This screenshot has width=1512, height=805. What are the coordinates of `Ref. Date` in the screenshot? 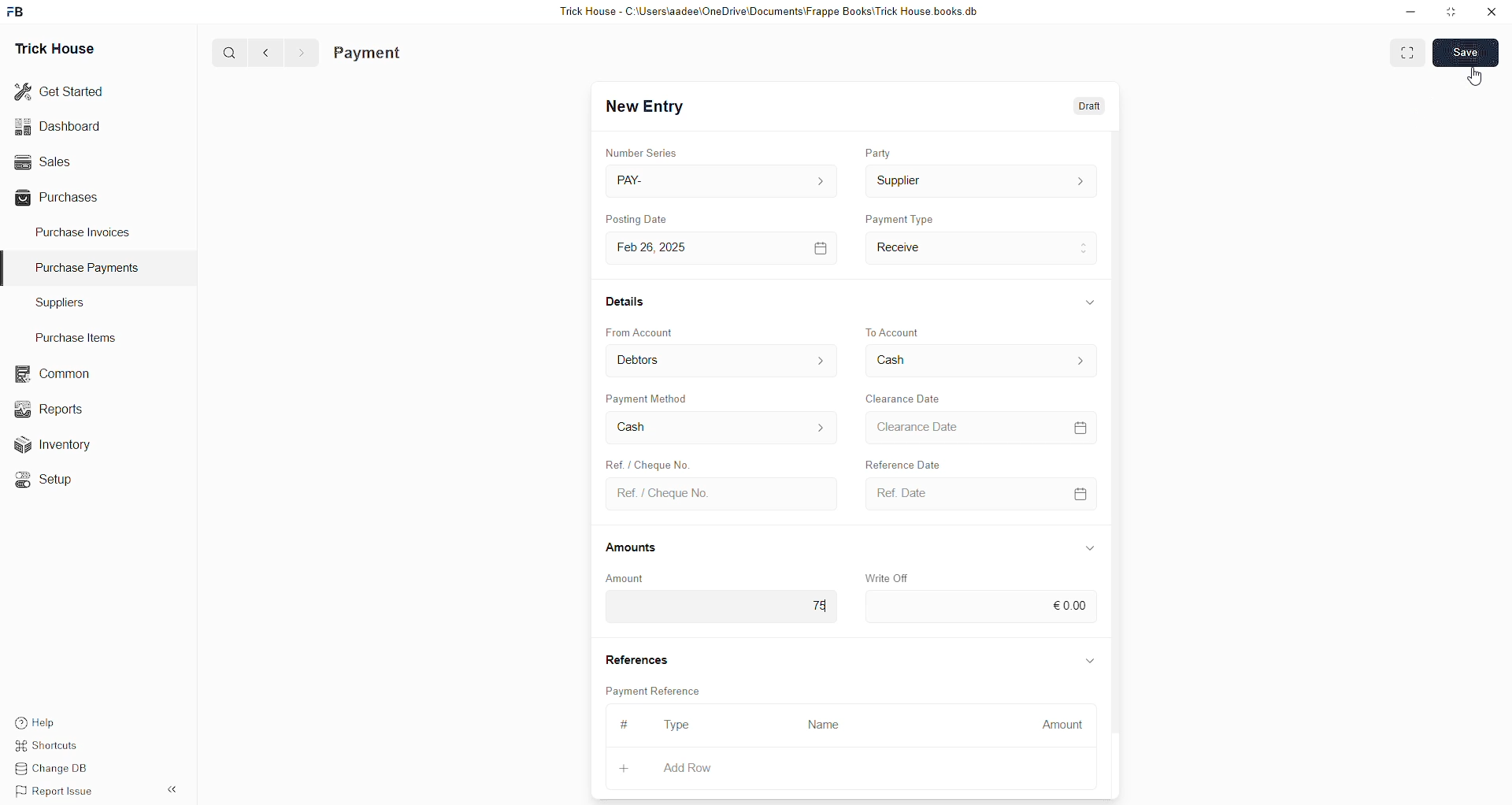 It's located at (976, 493).